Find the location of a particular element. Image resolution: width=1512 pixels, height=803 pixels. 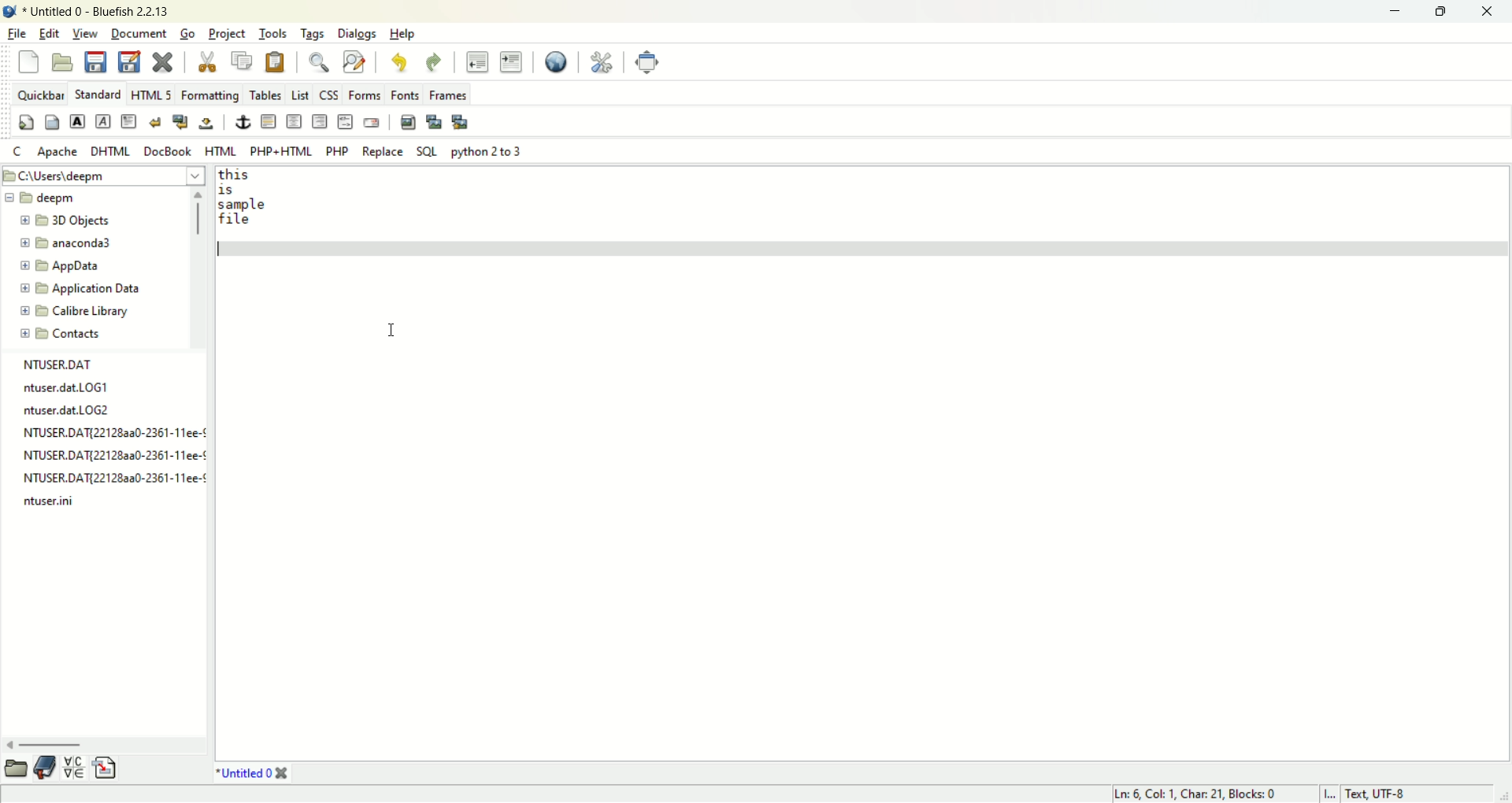

bookmark is located at coordinates (46, 767).